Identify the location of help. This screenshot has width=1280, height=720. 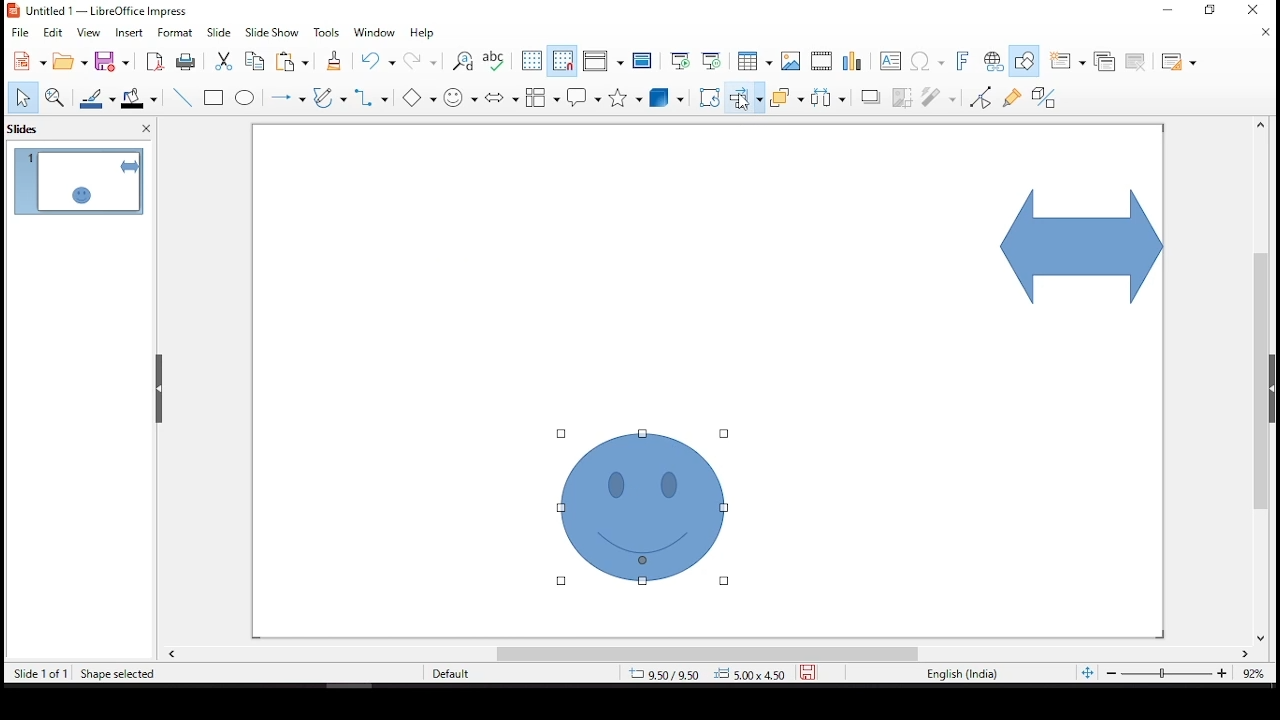
(422, 36).